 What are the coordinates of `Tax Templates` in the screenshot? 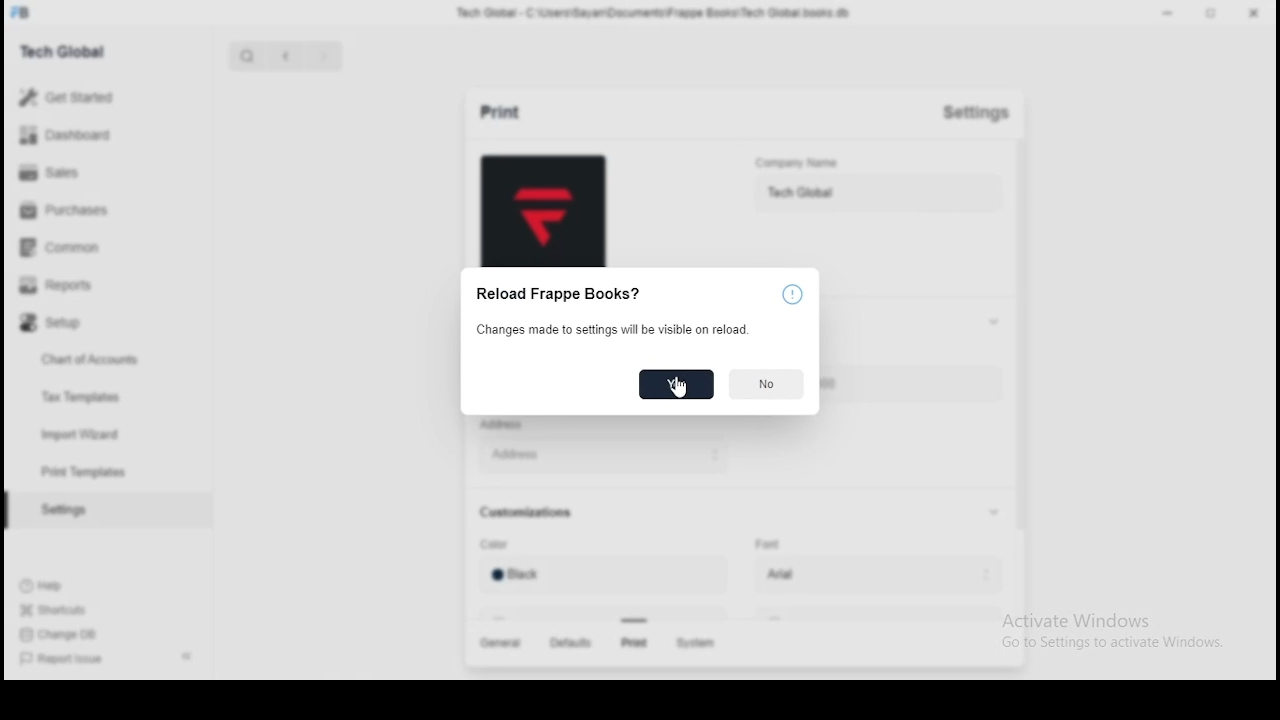 It's located at (86, 399).